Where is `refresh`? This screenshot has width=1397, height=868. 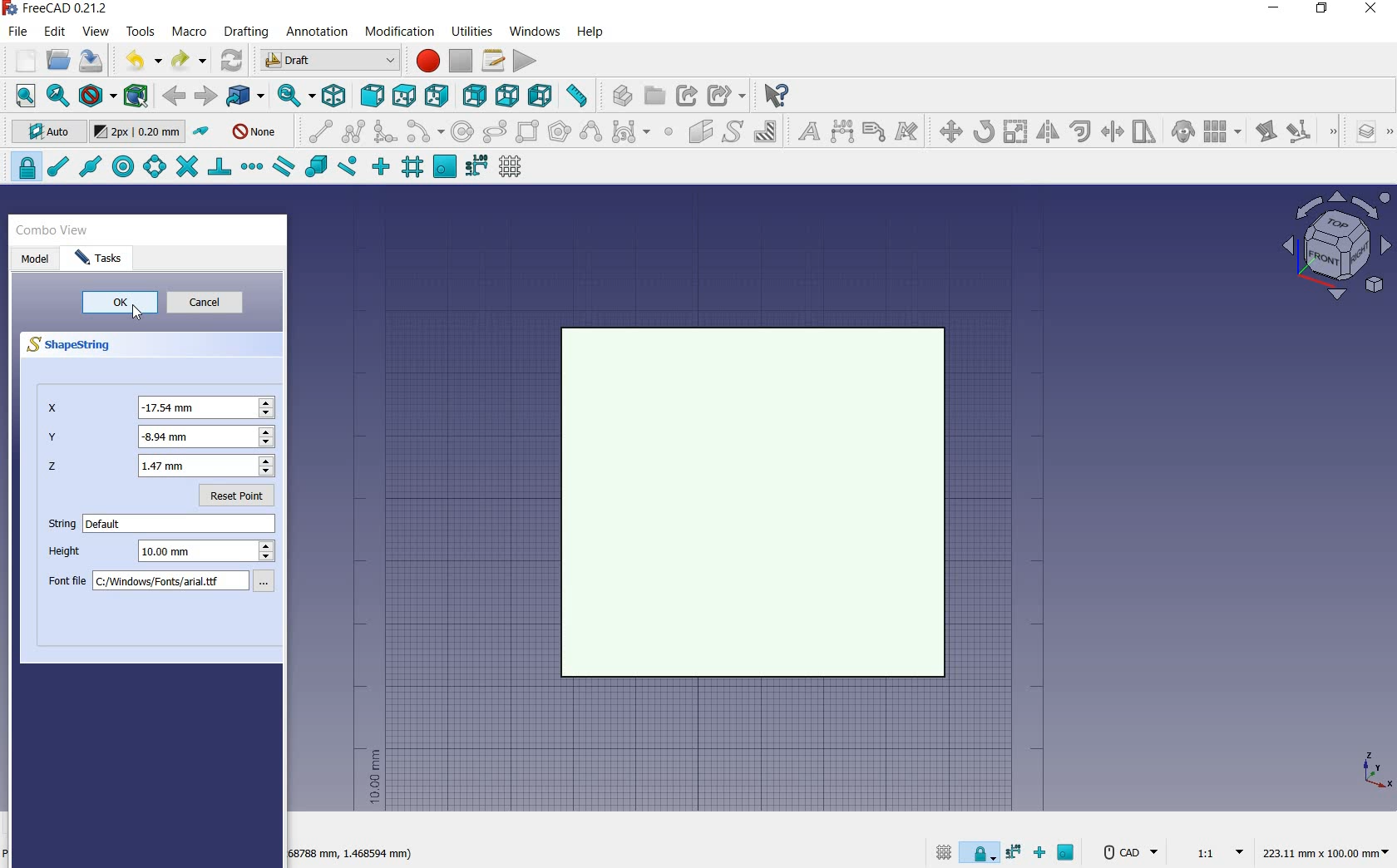 refresh is located at coordinates (233, 58).